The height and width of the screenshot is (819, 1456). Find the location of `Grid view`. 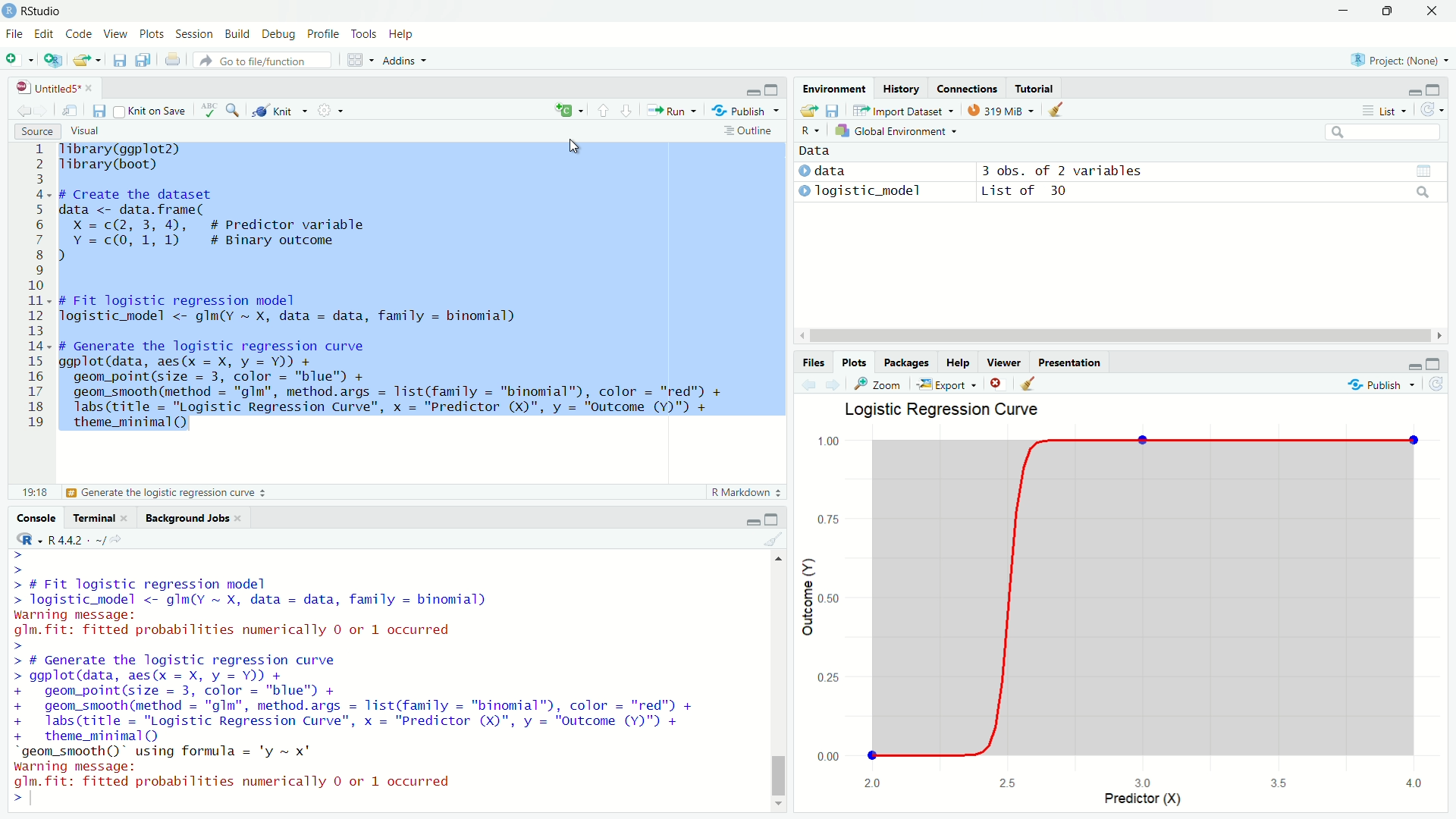

Grid view is located at coordinates (1424, 171).